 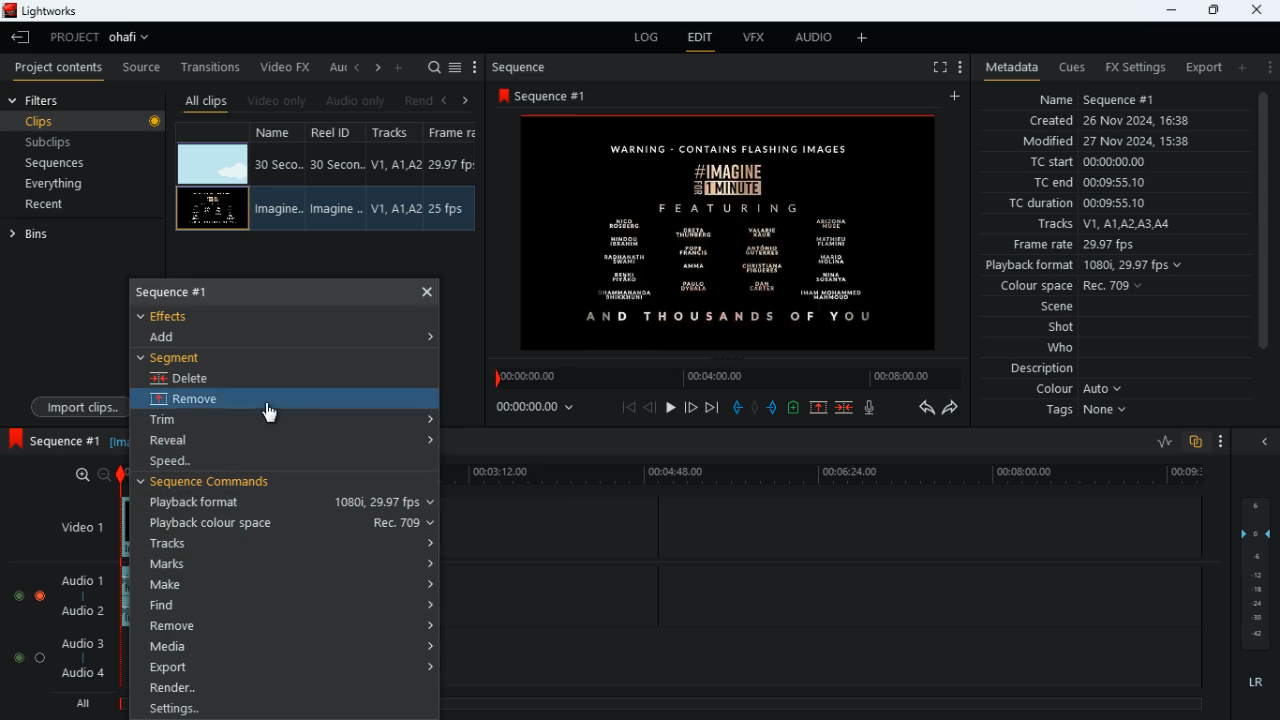 What do you see at coordinates (290, 545) in the screenshot?
I see `tracks` at bounding box center [290, 545].